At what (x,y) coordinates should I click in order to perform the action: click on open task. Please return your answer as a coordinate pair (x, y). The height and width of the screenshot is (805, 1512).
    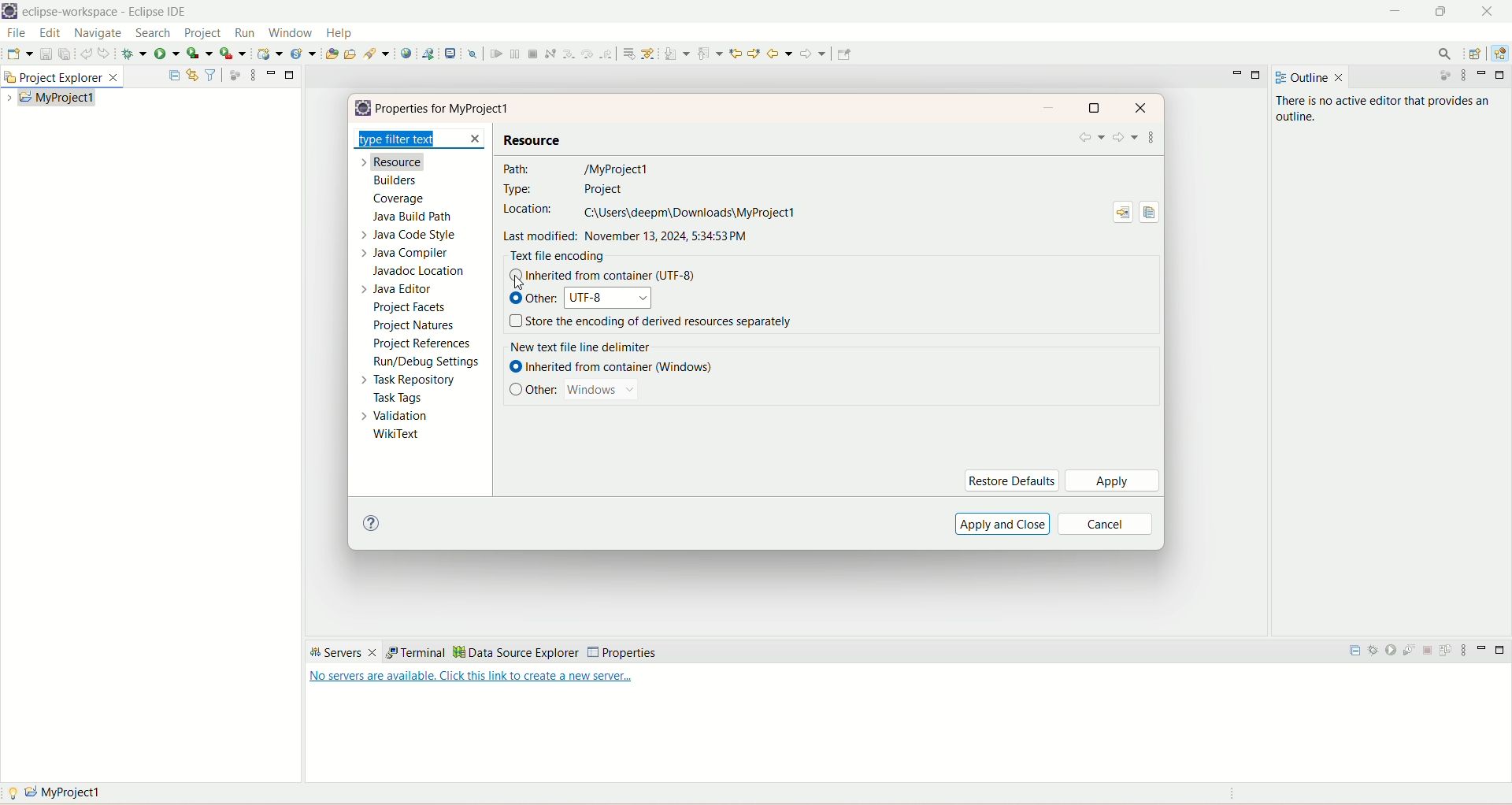
    Looking at the image, I should click on (351, 54).